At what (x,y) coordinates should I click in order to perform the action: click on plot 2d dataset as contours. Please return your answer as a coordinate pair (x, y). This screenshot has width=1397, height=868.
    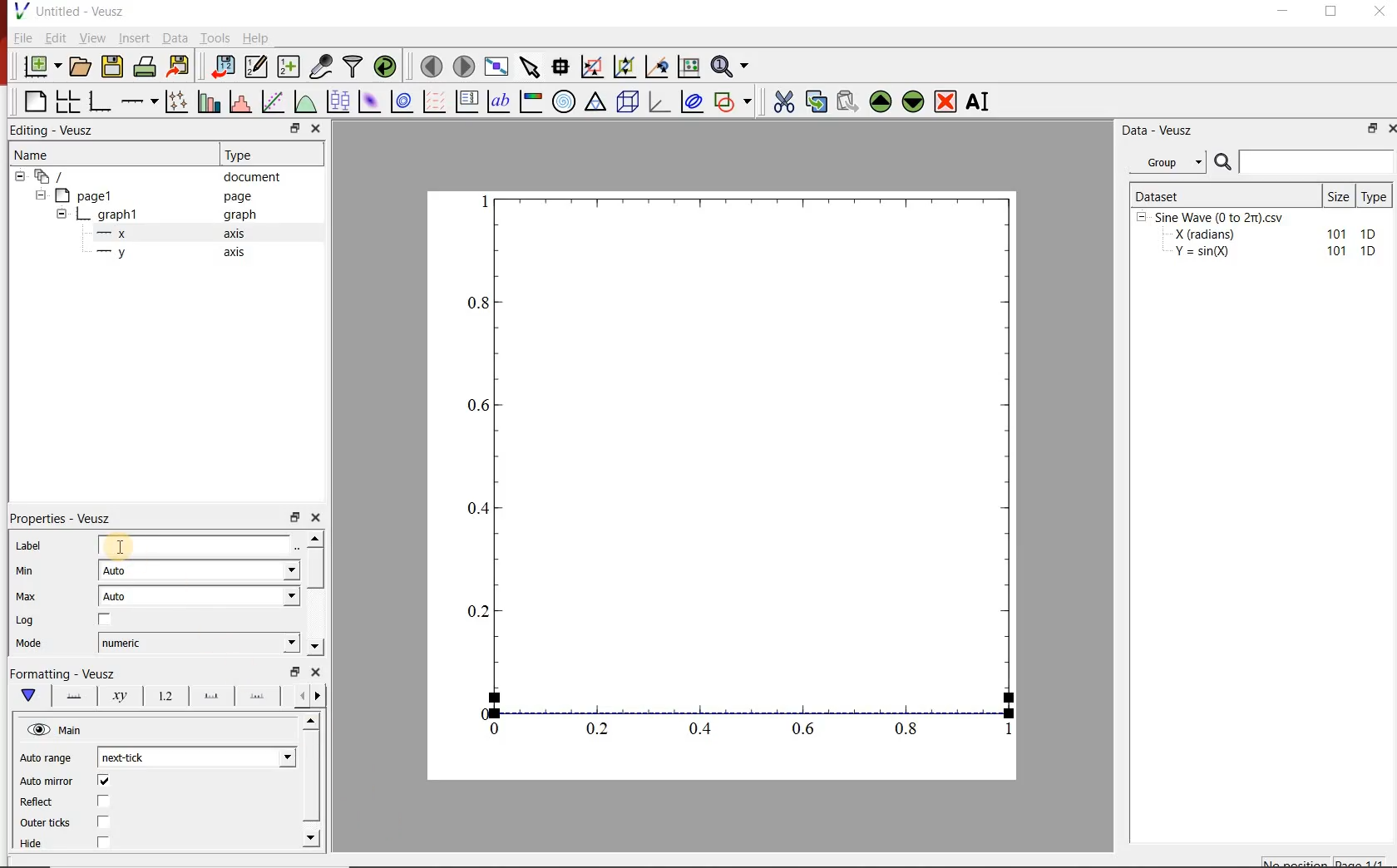
    Looking at the image, I should click on (402, 101).